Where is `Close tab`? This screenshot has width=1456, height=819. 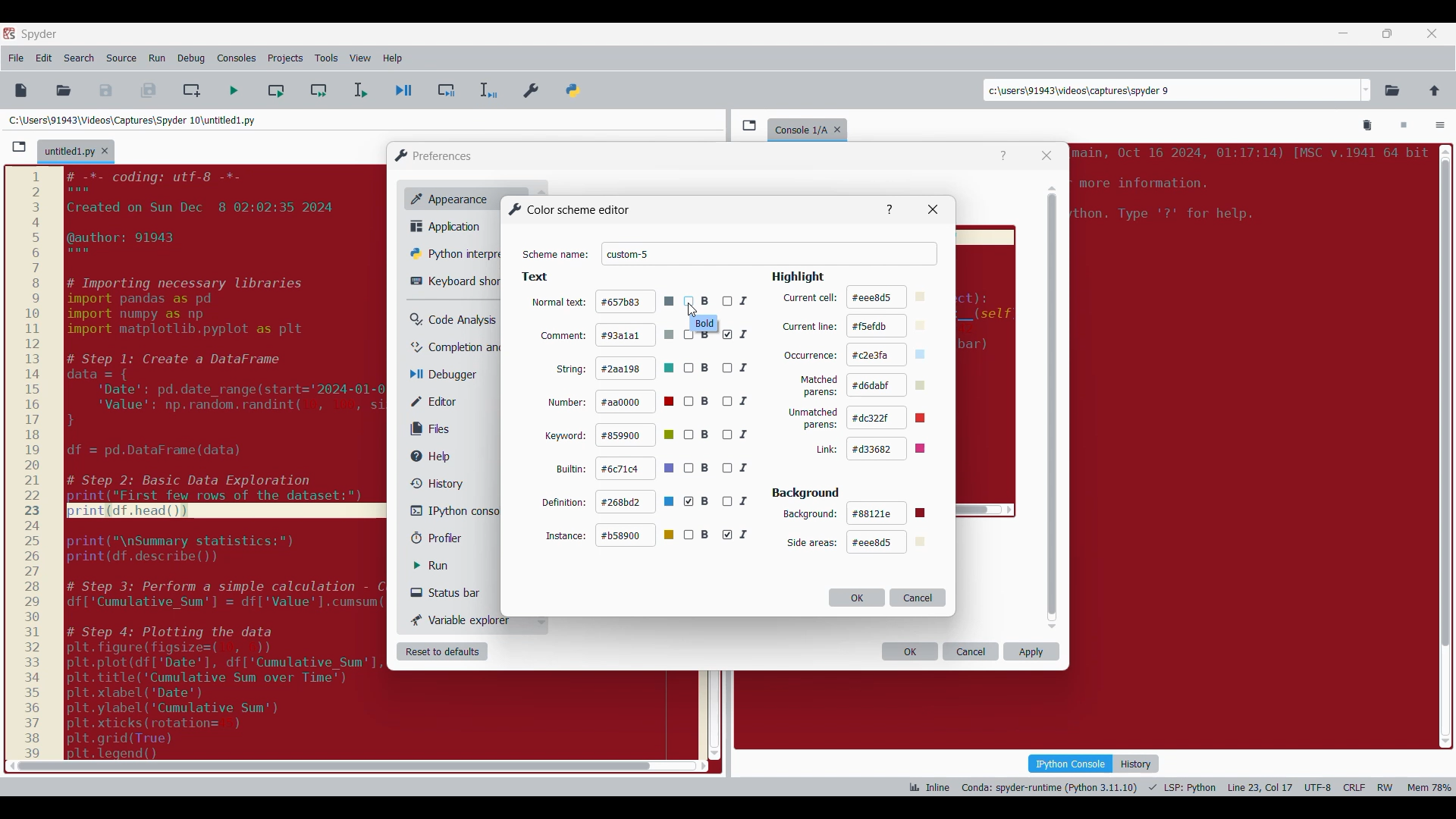 Close tab is located at coordinates (1432, 33).